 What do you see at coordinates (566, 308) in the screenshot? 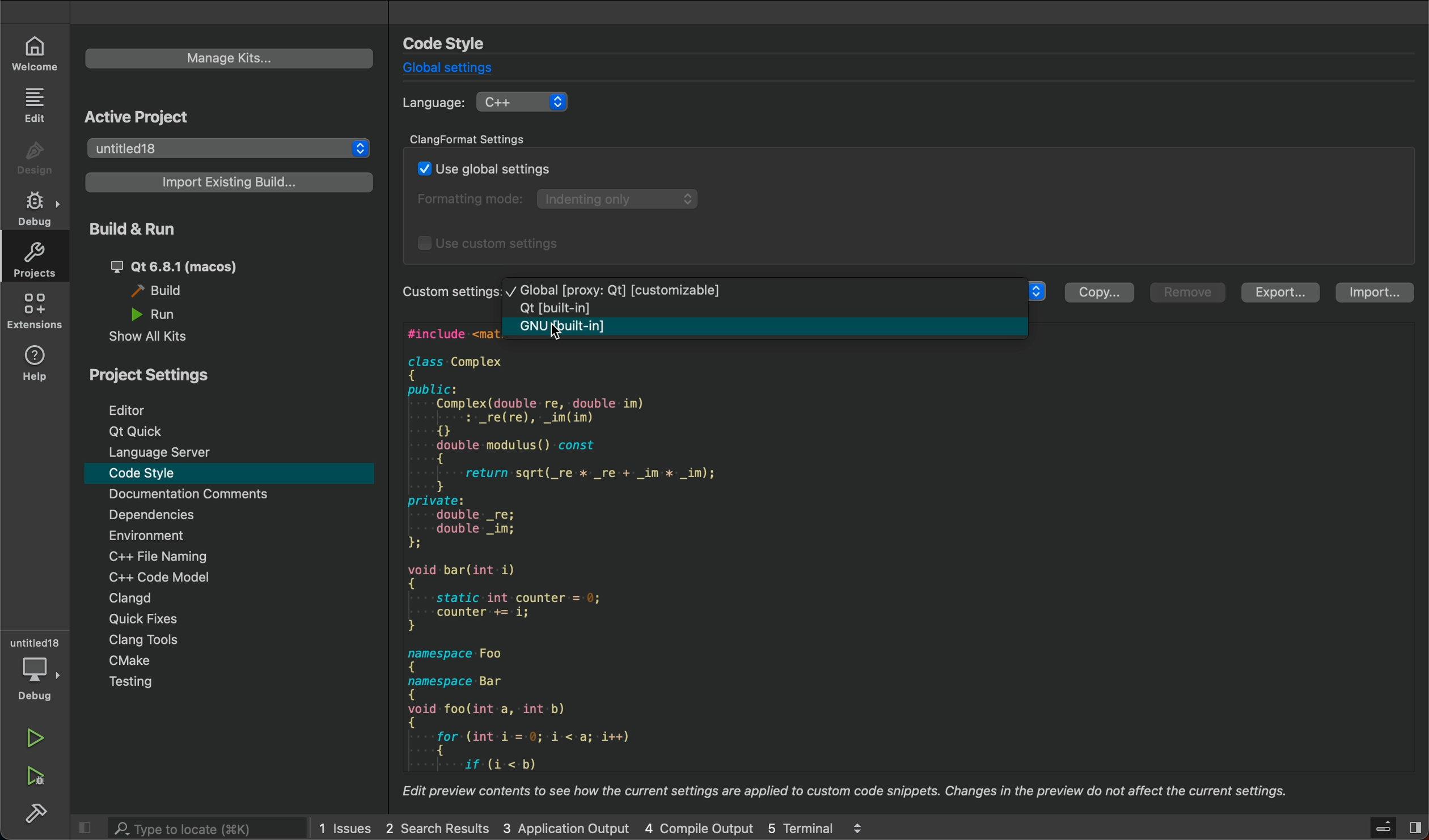
I see `Qt (built-in)` at bounding box center [566, 308].